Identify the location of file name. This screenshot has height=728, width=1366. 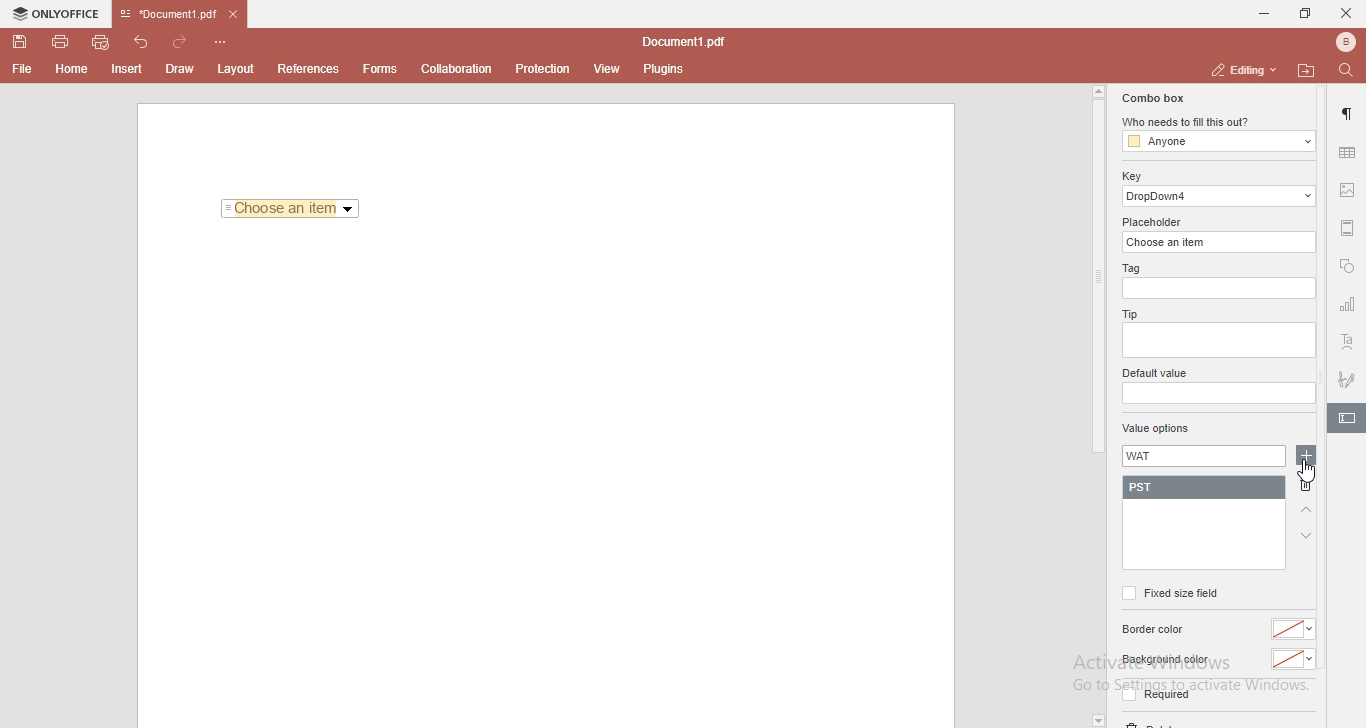
(688, 43).